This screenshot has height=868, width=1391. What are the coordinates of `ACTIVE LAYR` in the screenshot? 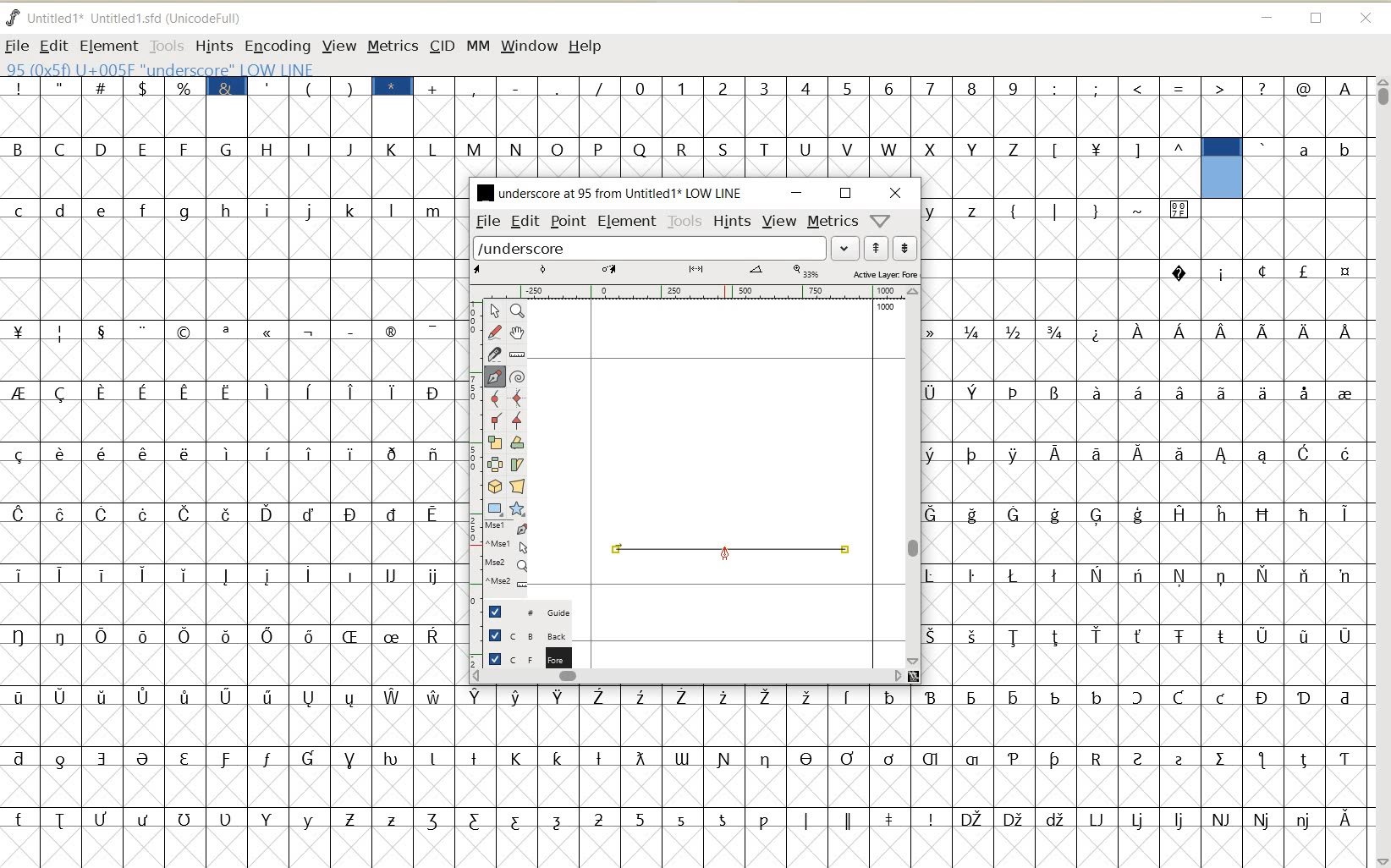 It's located at (695, 272).